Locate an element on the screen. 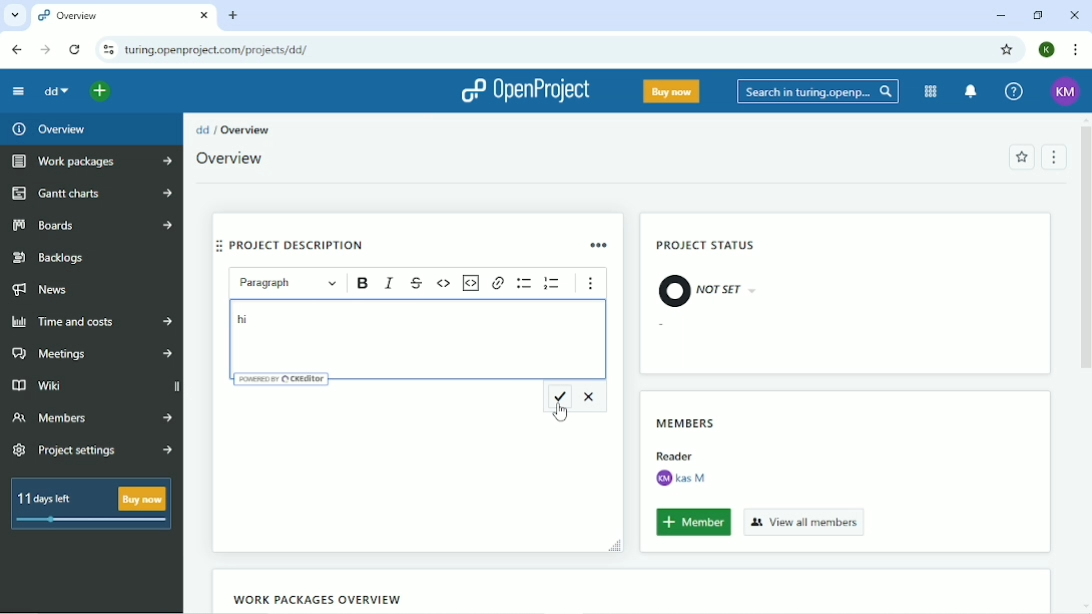 This screenshot has width=1092, height=614. Link is located at coordinates (499, 283).